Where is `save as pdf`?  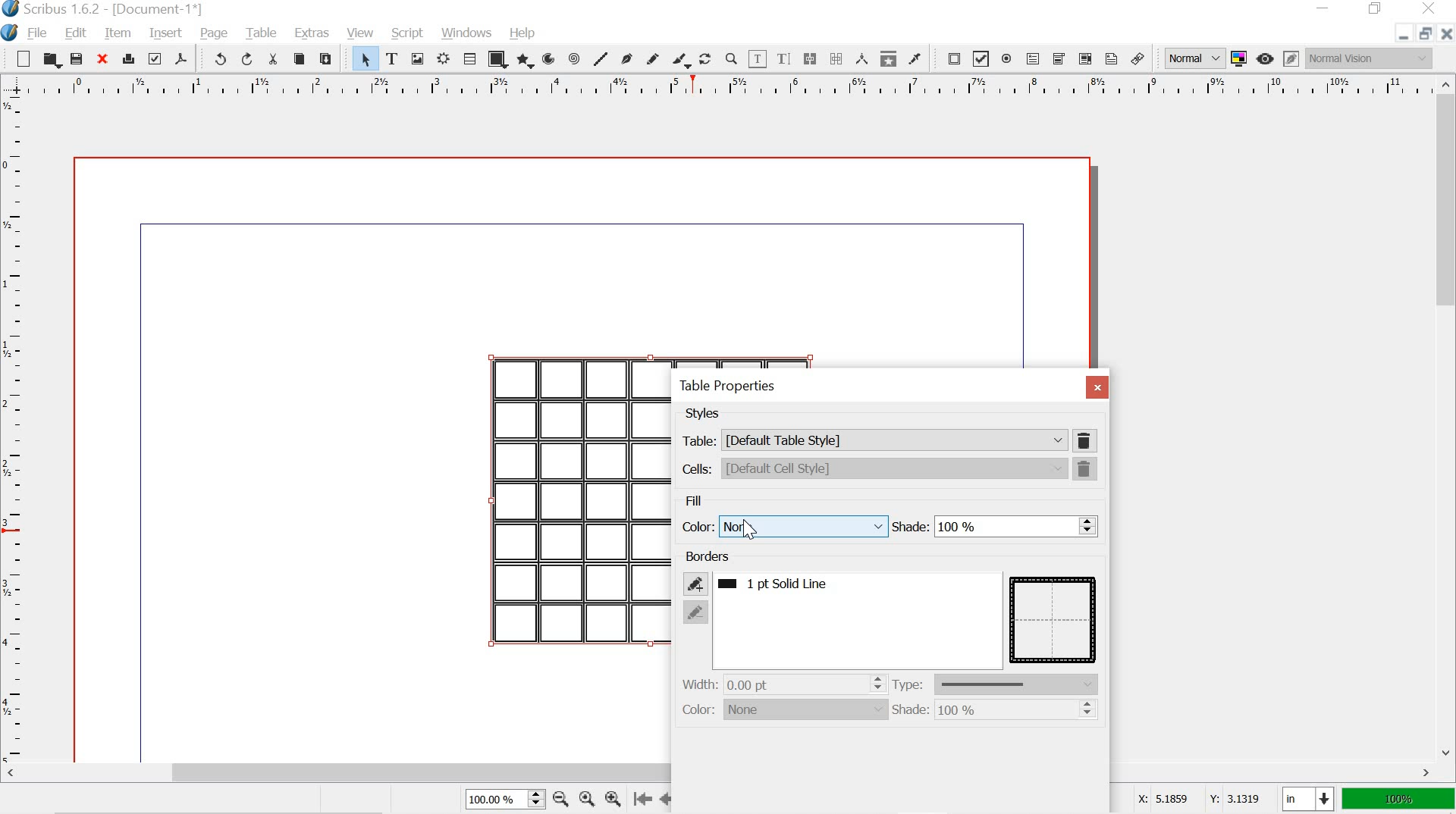
save as pdf is located at coordinates (182, 58).